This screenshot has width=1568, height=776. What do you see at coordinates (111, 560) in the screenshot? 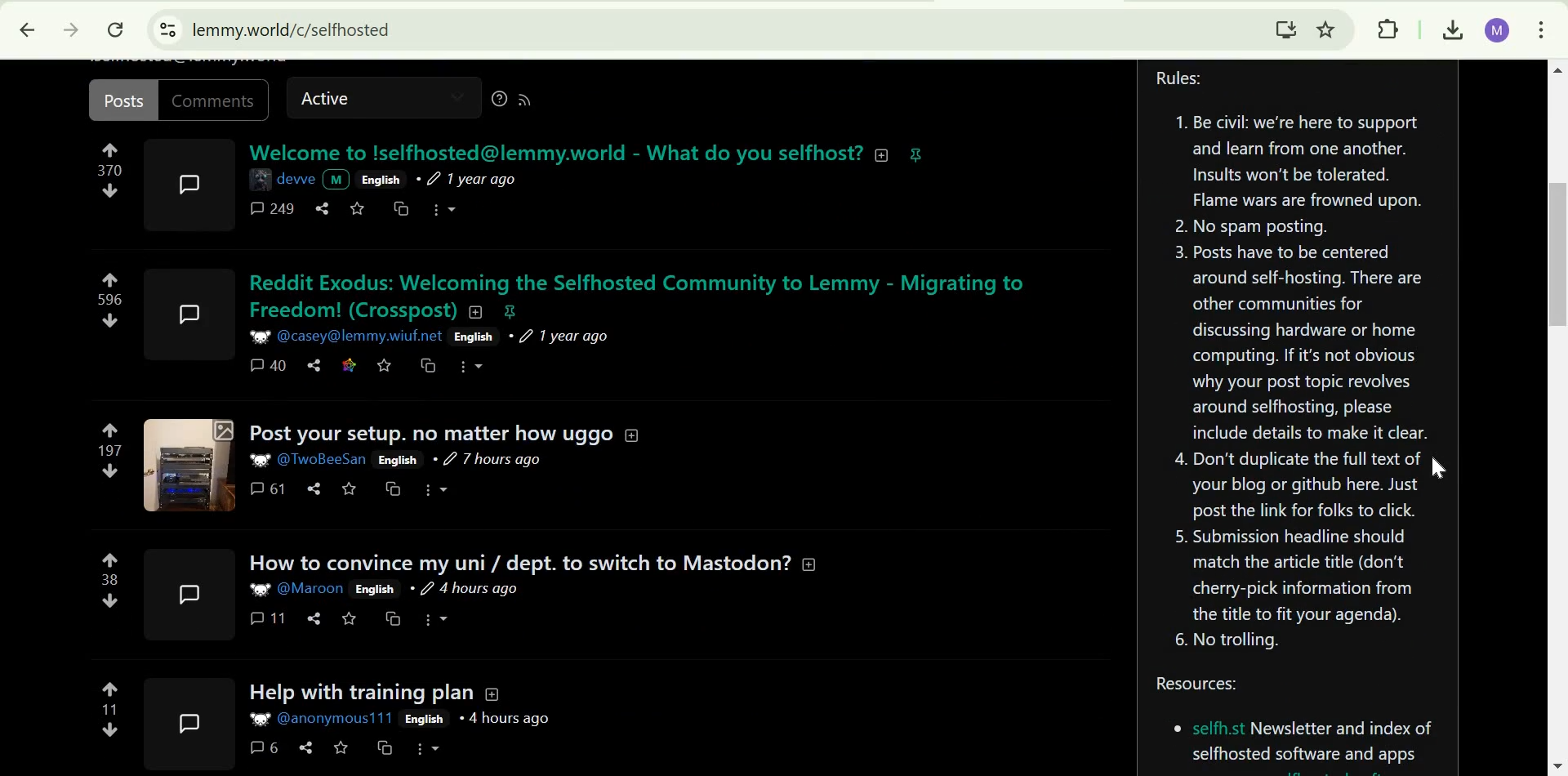
I see `upvote` at bounding box center [111, 560].